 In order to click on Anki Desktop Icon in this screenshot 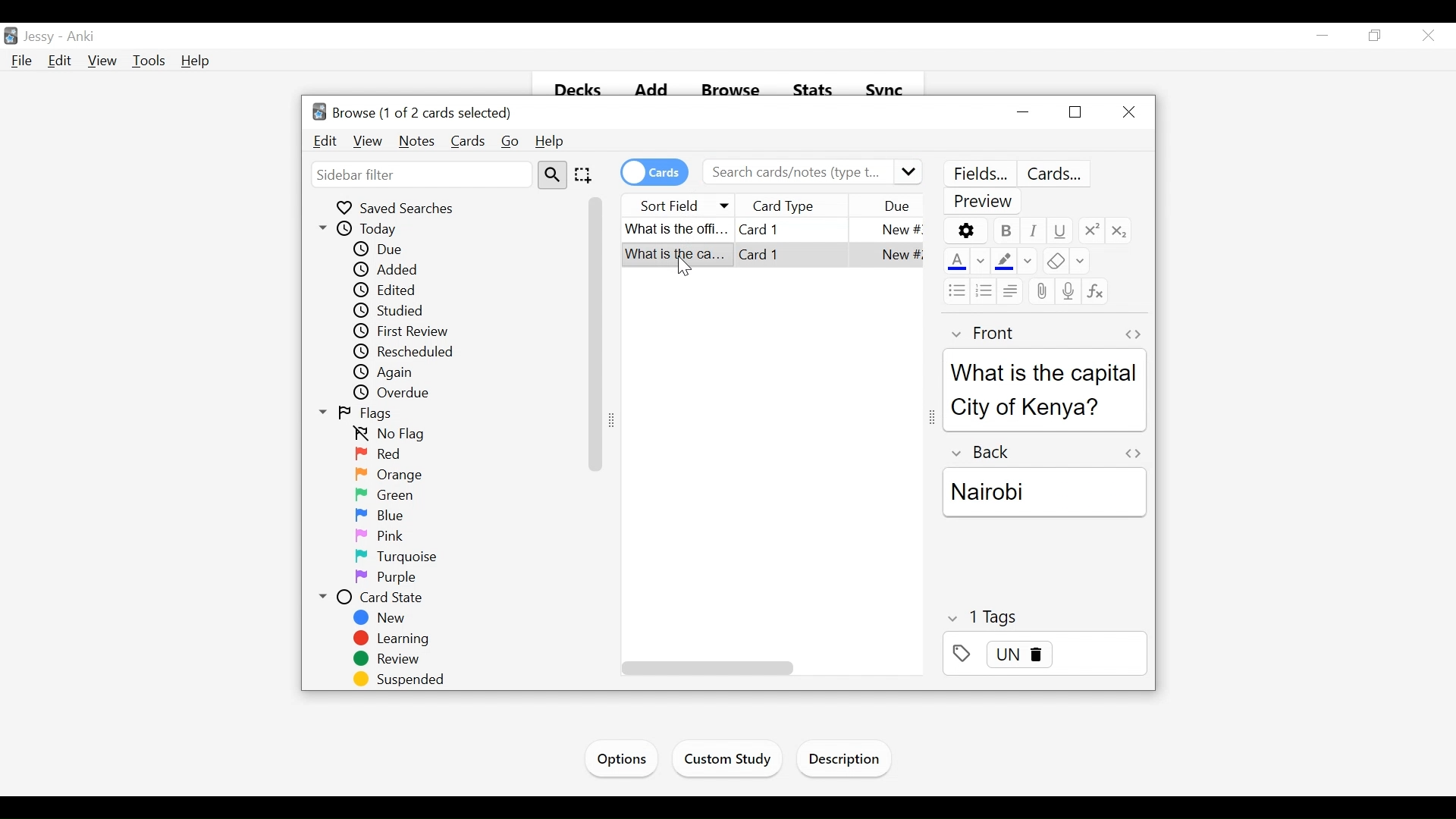, I will do `click(11, 35)`.